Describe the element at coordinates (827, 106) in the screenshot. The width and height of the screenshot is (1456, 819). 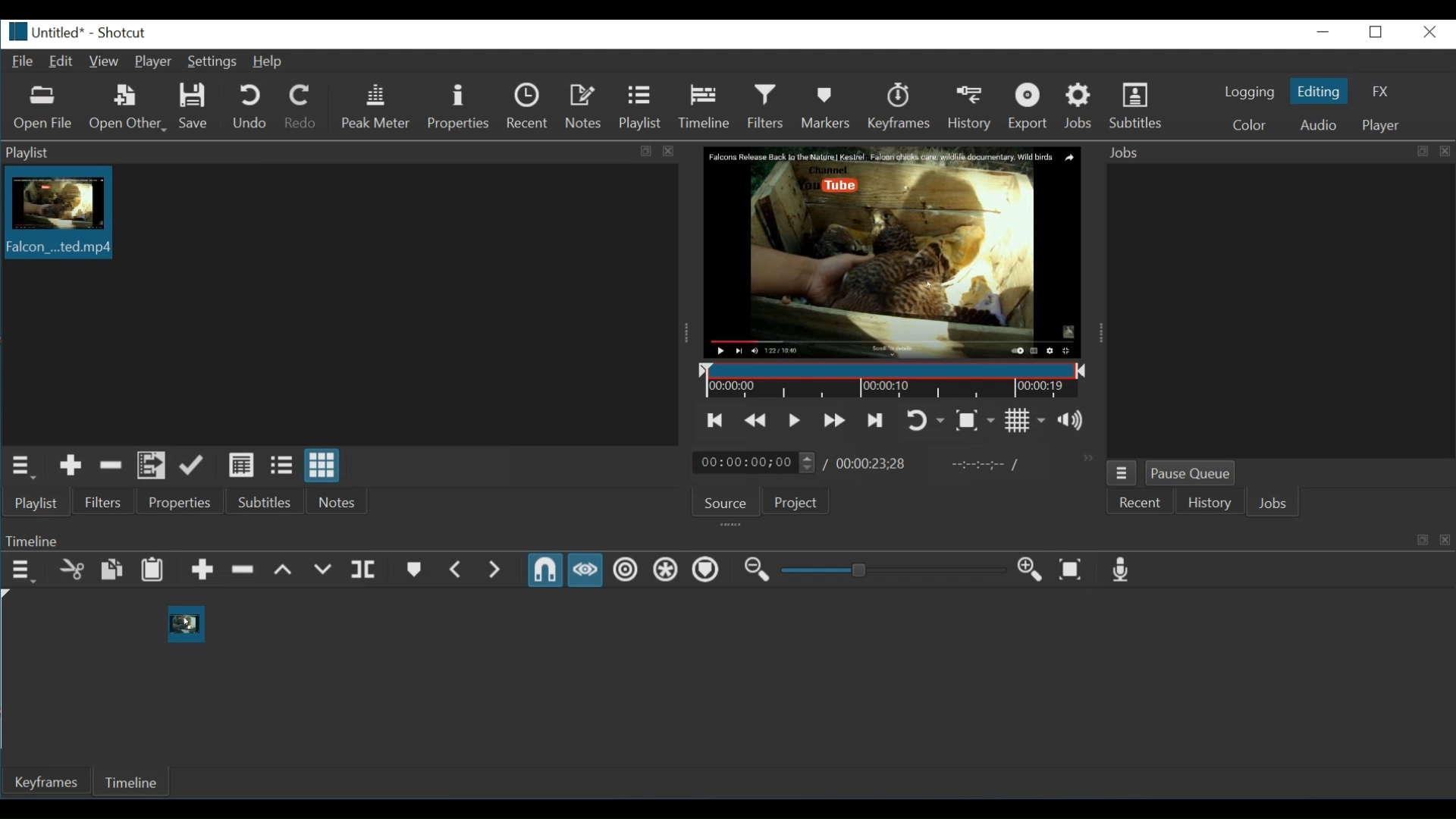
I see `Markers` at that location.